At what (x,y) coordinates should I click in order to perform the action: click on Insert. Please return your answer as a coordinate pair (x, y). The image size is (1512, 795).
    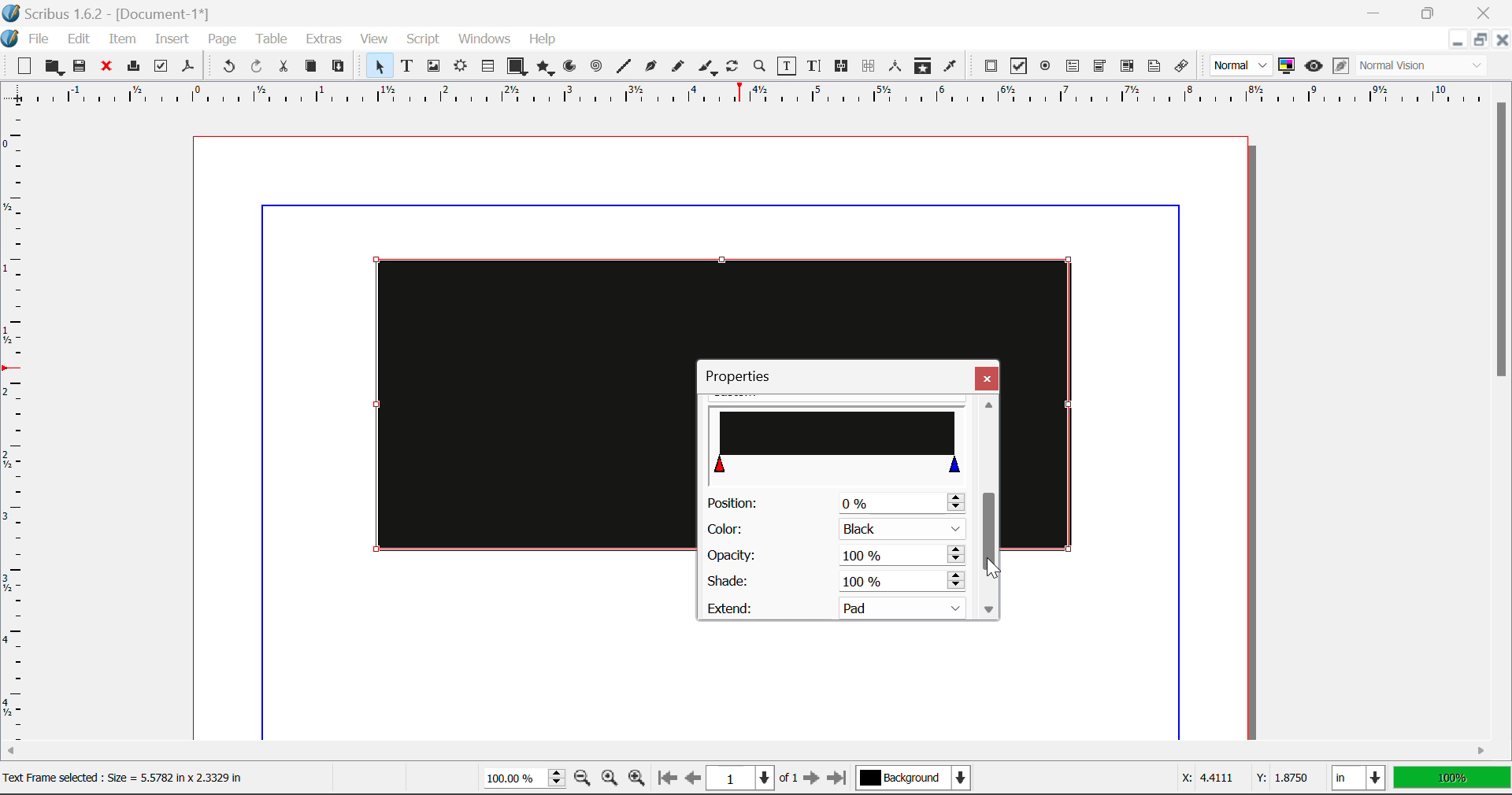
    Looking at the image, I should click on (170, 42).